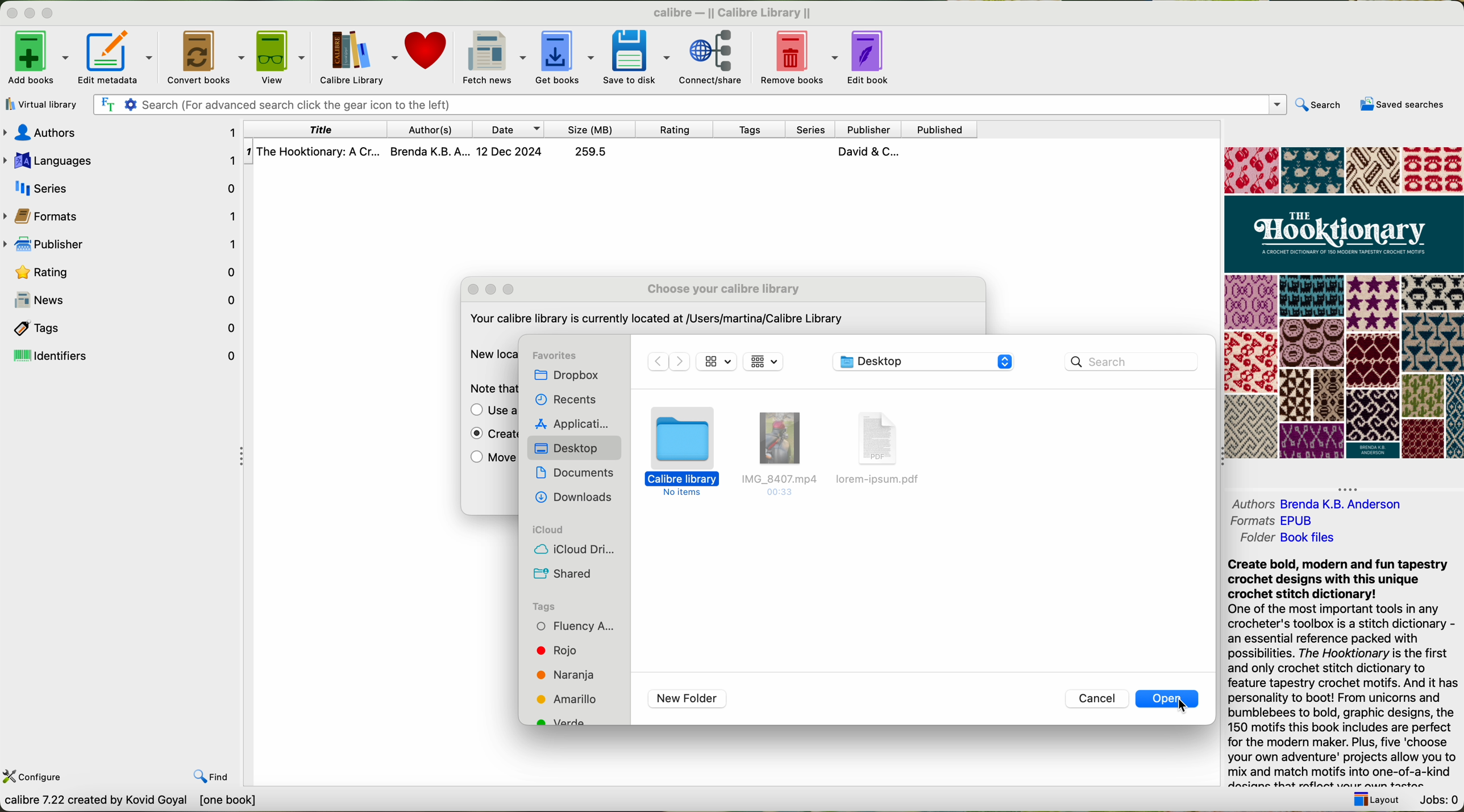 The width and height of the screenshot is (1464, 812). What do you see at coordinates (1127, 362) in the screenshot?
I see `search bar` at bounding box center [1127, 362].